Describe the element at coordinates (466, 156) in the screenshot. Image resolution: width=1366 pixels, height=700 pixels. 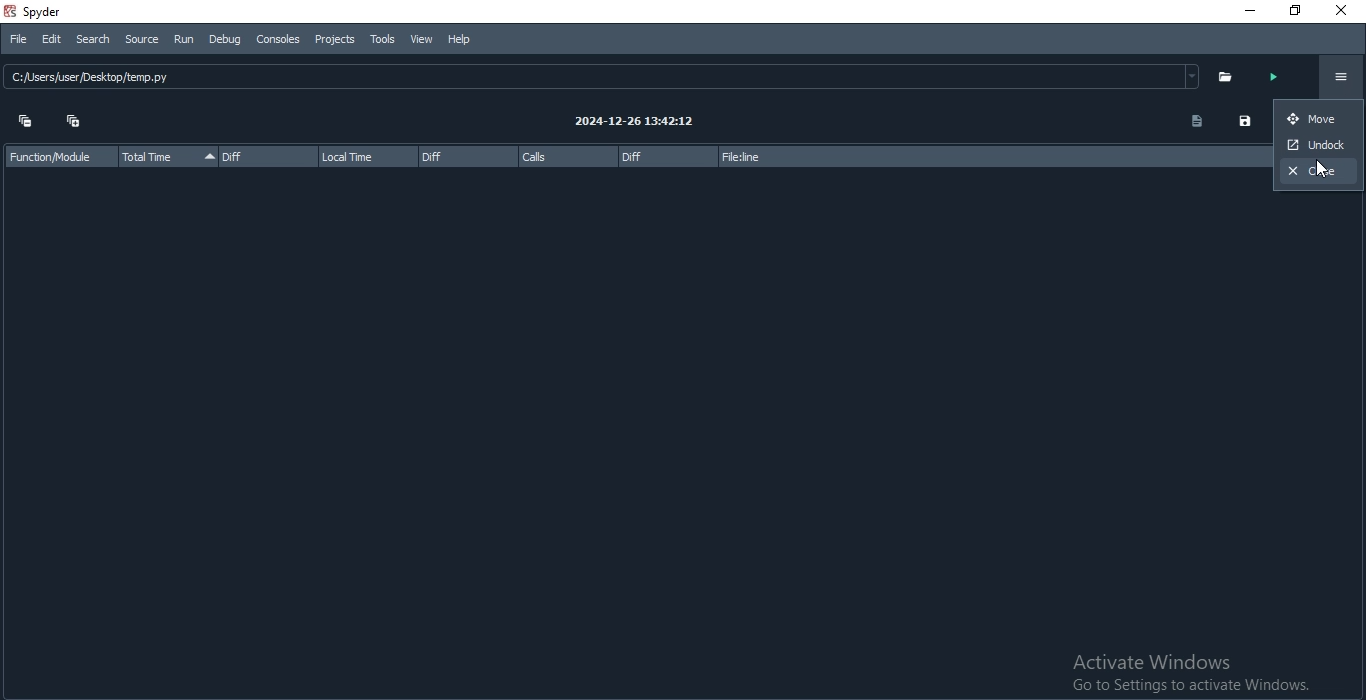
I see `diff` at that location.